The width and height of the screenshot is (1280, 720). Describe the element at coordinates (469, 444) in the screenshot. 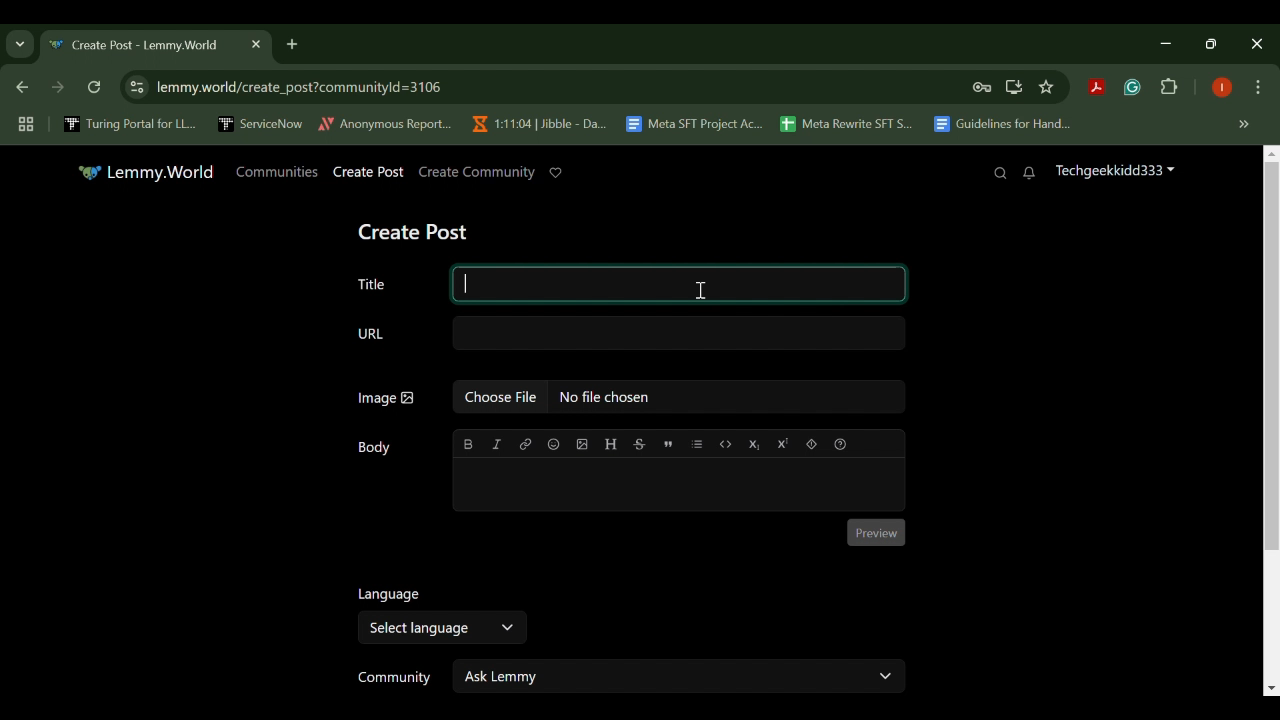

I see `bold` at that location.